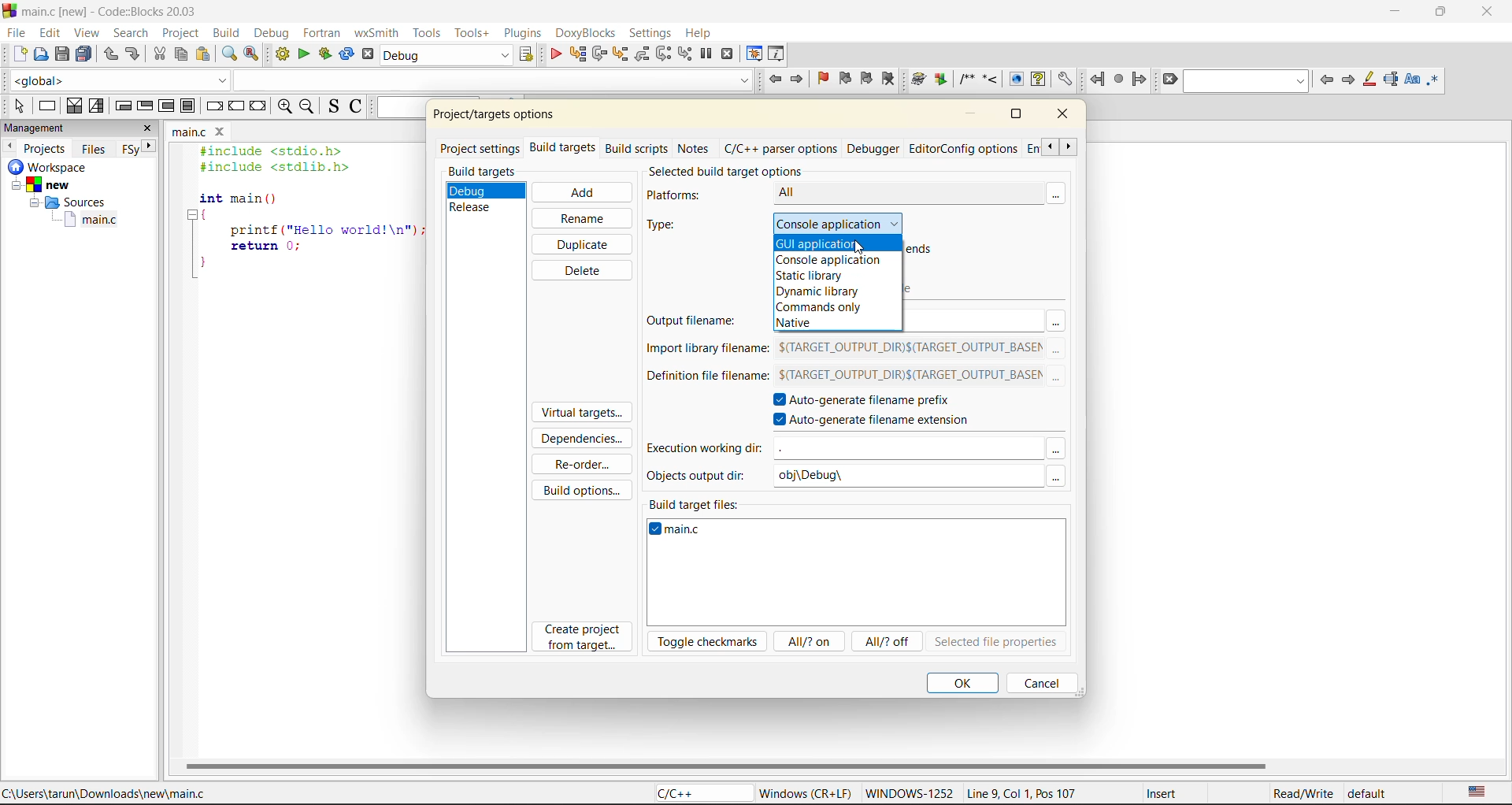 This screenshot has height=805, width=1512. What do you see at coordinates (130, 34) in the screenshot?
I see `search` at bounding box center [130, 34].